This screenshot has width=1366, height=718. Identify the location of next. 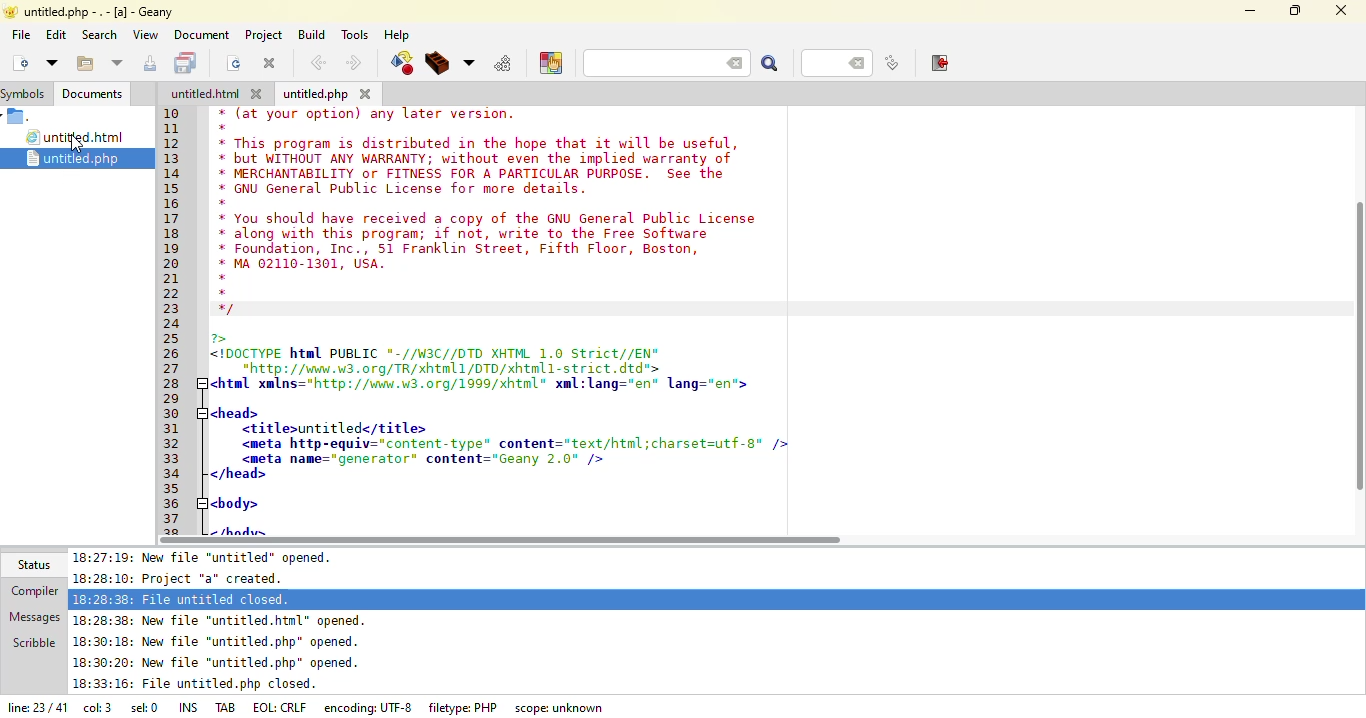
(355, 63).